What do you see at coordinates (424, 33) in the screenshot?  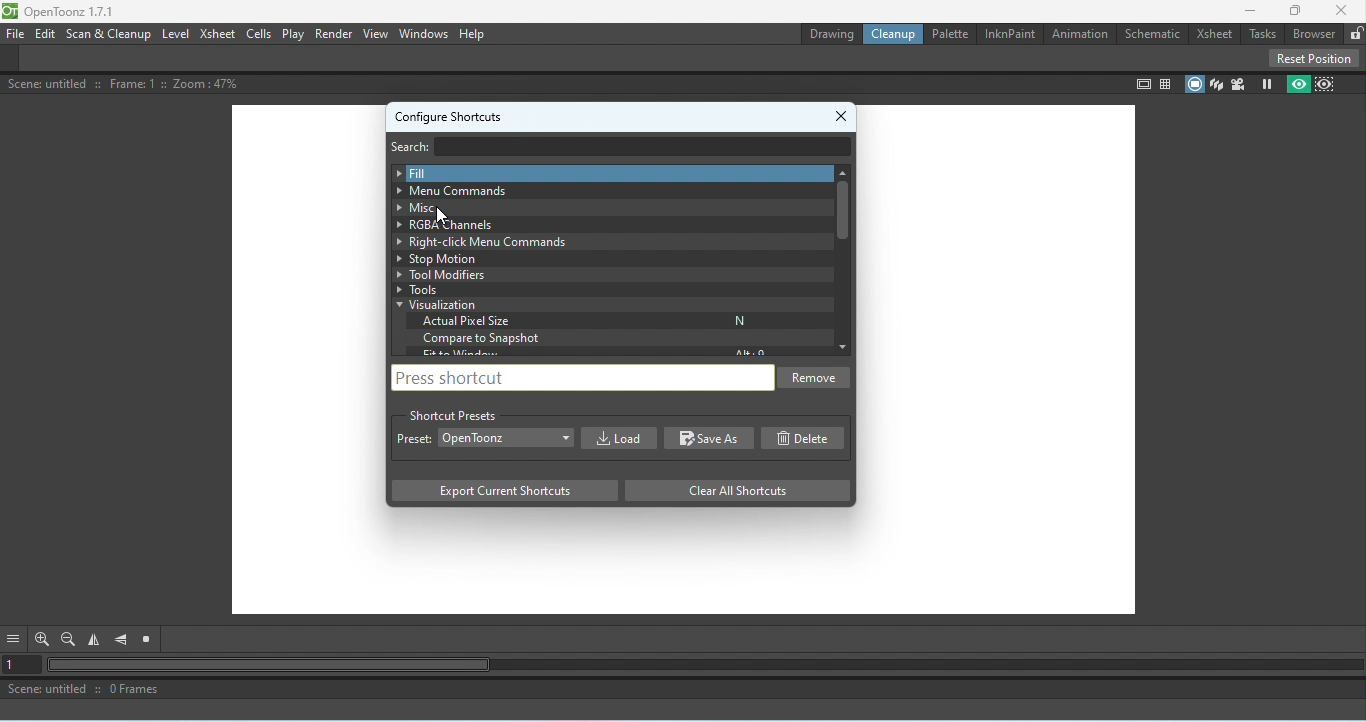 I see `Windows` at bounding box center [424, 33].